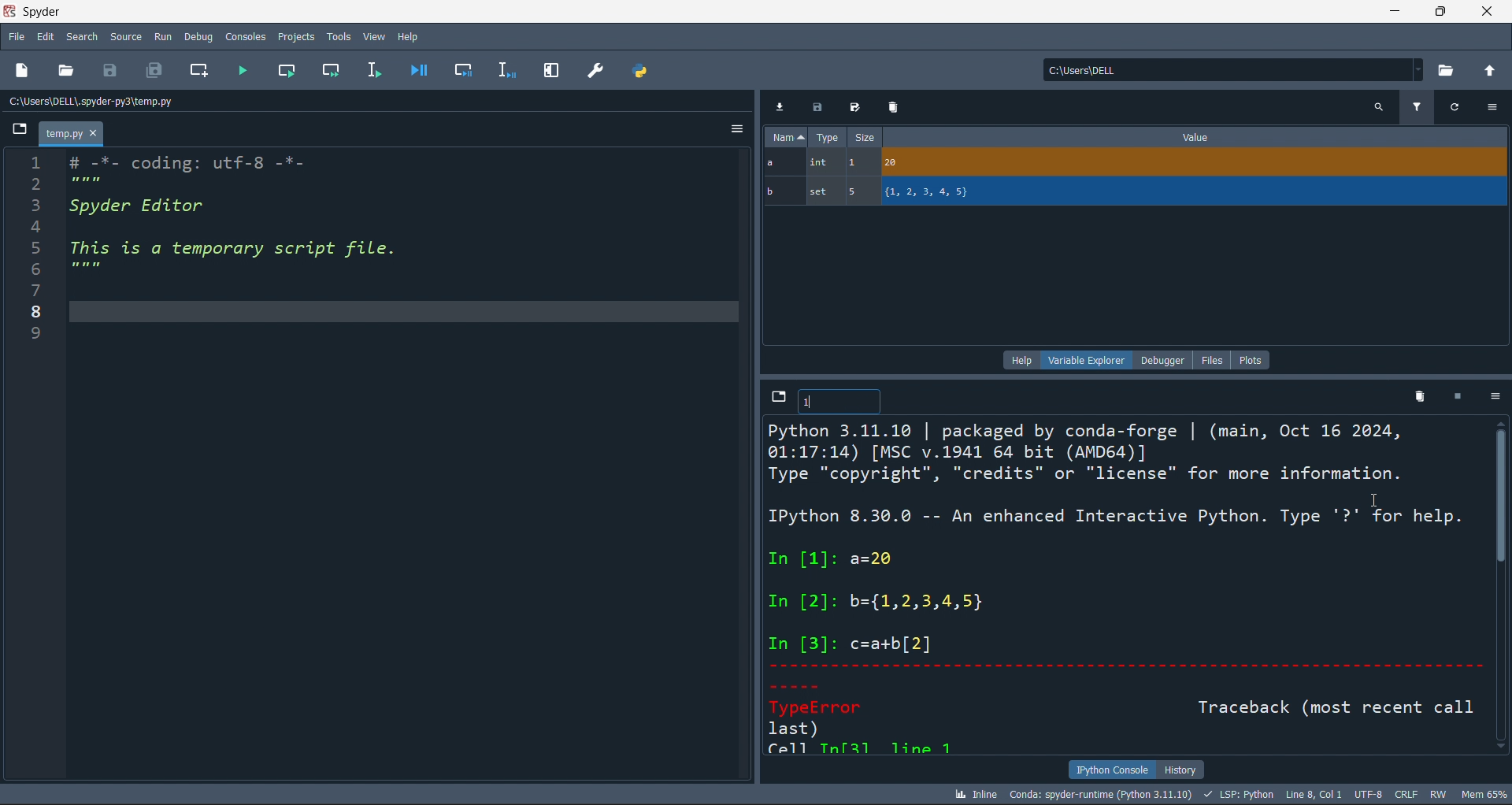 This screenshot has width=1512, height=805. What do you see at coordinates (72, 135) in the screenshot?
I see `temp.py` at bounding box center [72, 135].